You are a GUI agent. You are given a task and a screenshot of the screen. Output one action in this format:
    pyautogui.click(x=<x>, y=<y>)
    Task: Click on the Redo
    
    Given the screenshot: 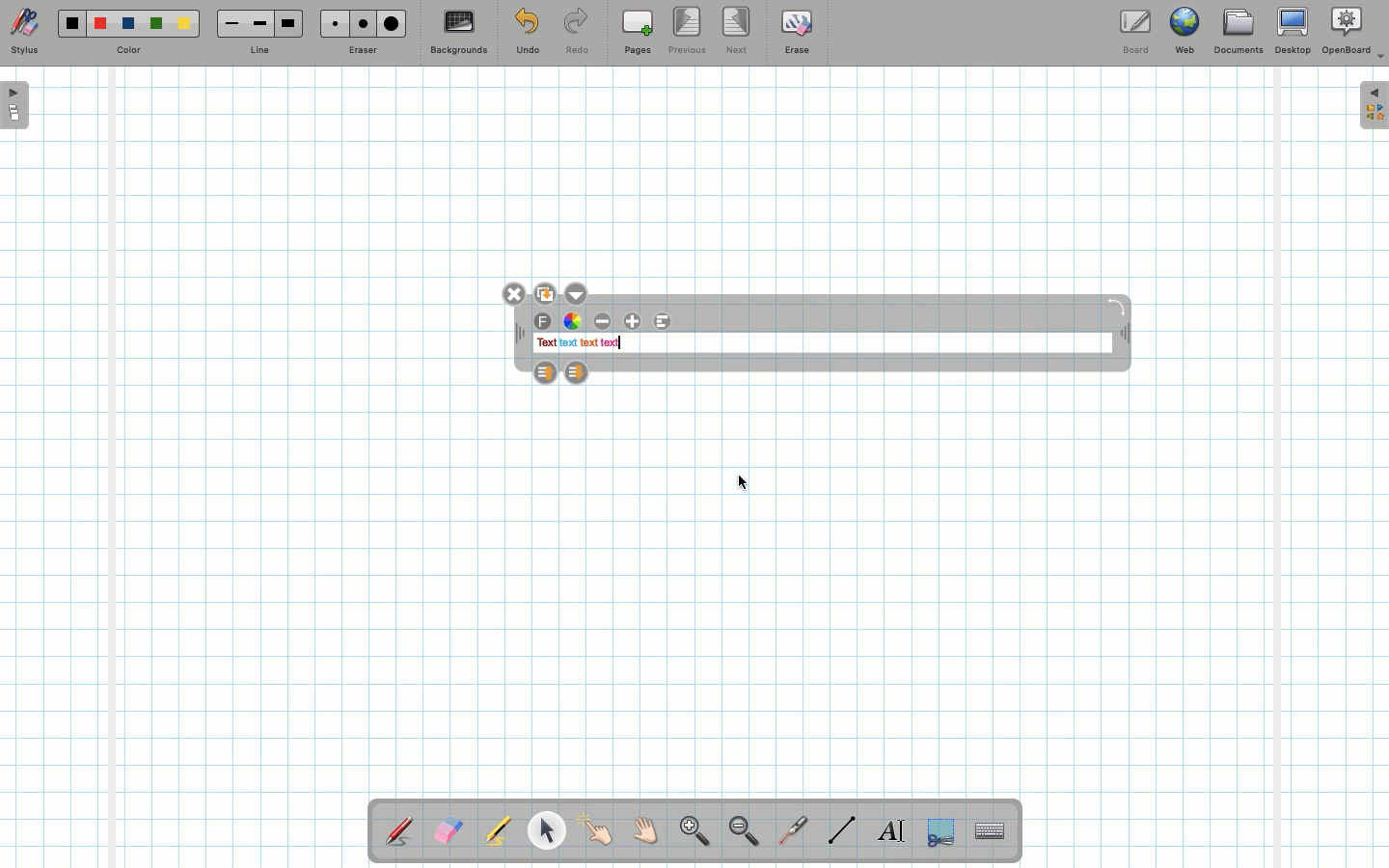 What is the action you would take?
    pyautogui.click(x=577, y=35)
    